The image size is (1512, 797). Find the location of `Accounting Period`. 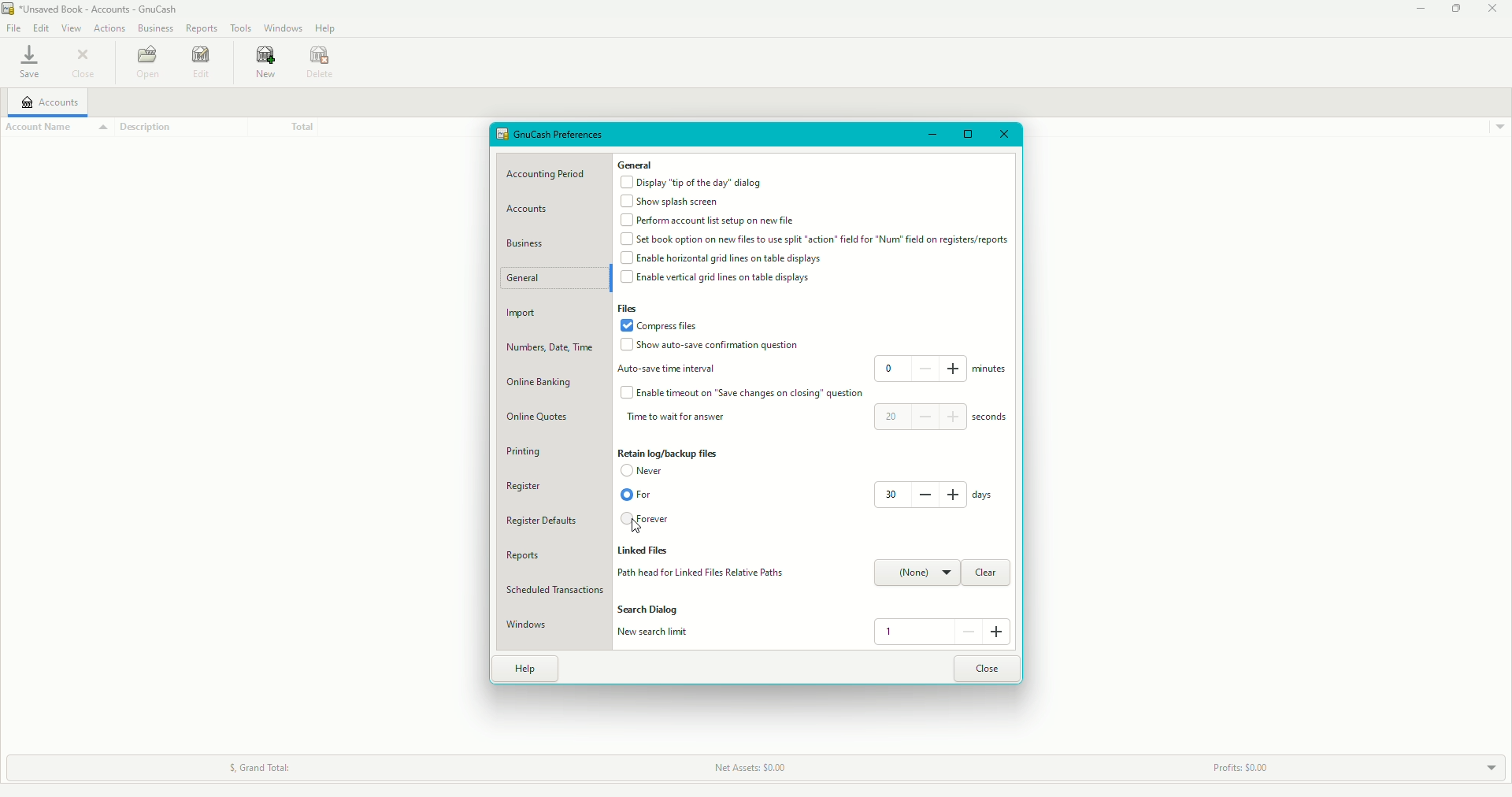

Accounting Period is located at coordinates (550, 175).